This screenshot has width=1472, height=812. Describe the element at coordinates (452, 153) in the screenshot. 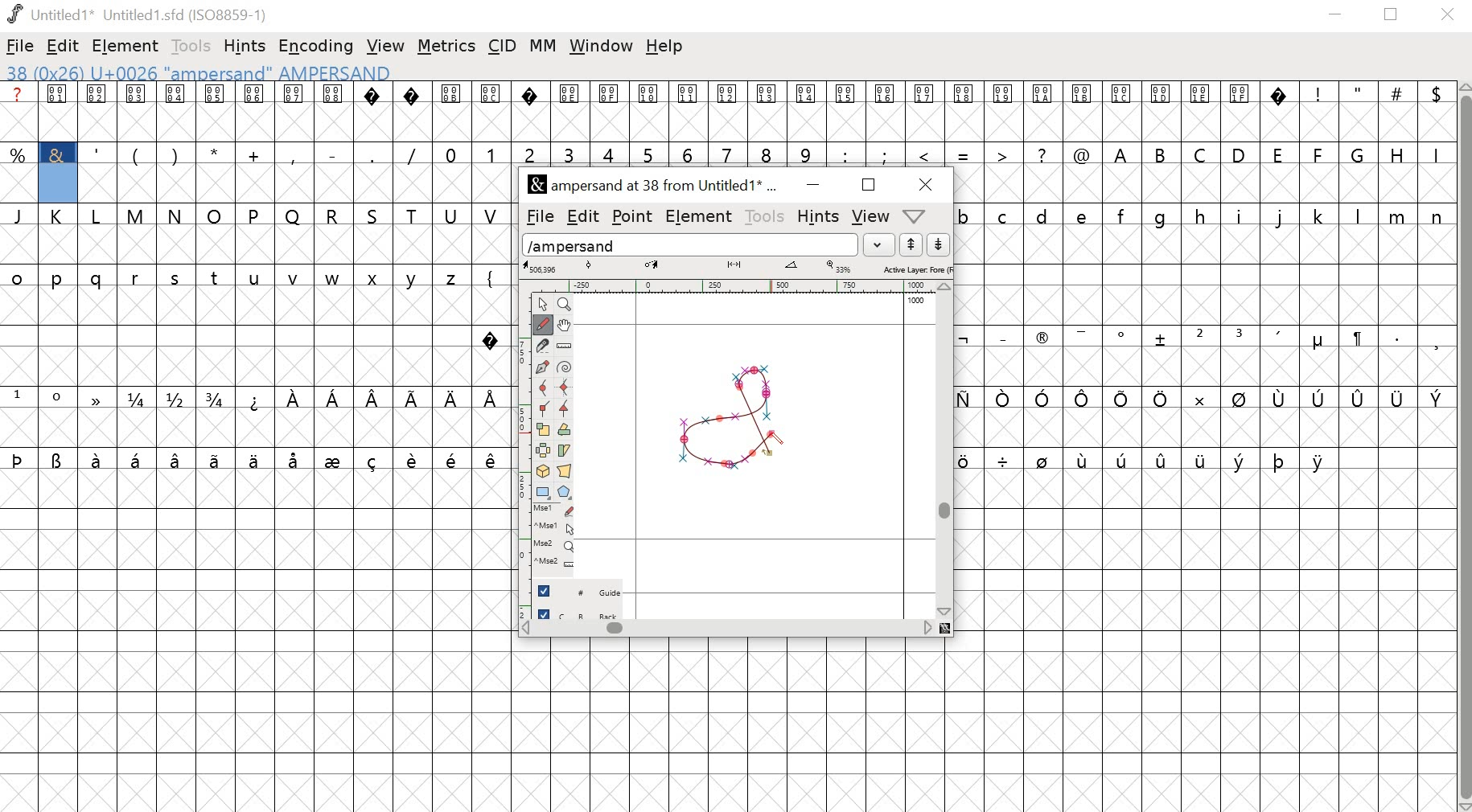

I see `0` at that location.